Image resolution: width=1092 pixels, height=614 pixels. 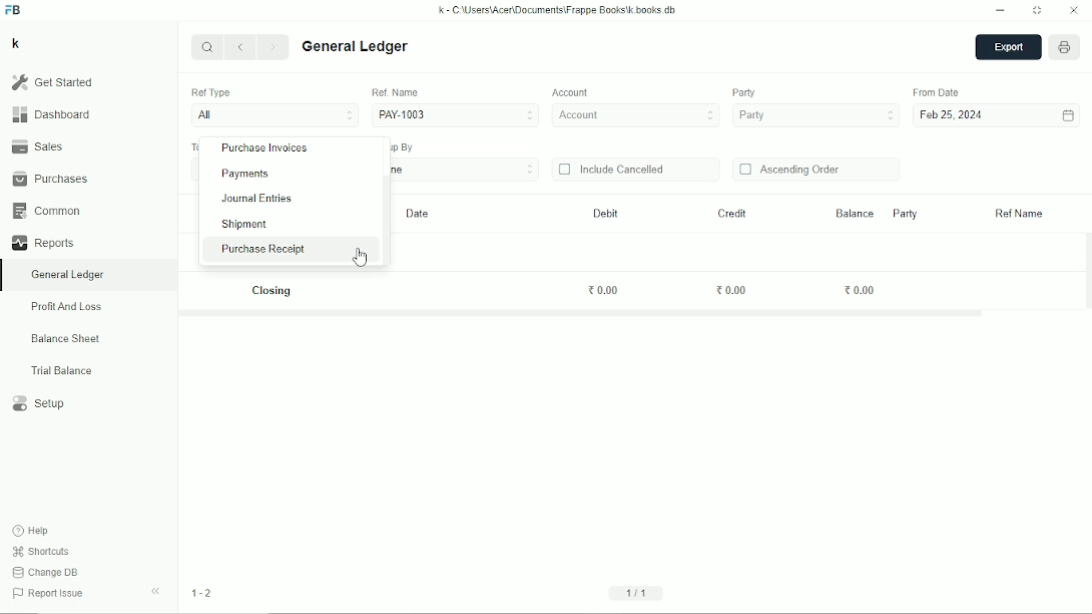 What do you see at coordinates (744, 93) in the screenshot?
I see `Party` at bounding box center [744, 93].